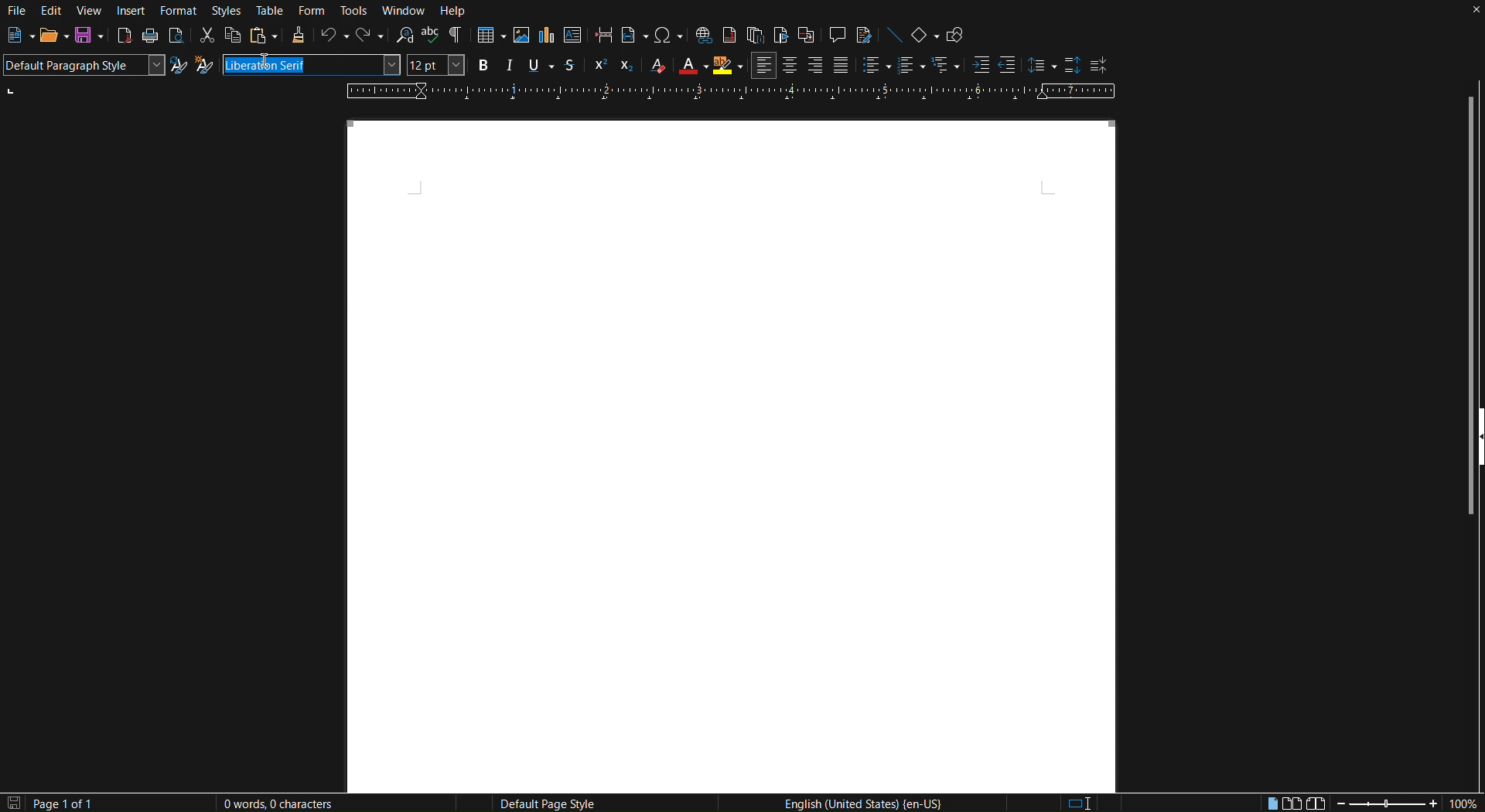 The image size is (1485, 812). Describe the element at coordinates (1429, 802) in the screenshot. I see `Zoom in` at that location.